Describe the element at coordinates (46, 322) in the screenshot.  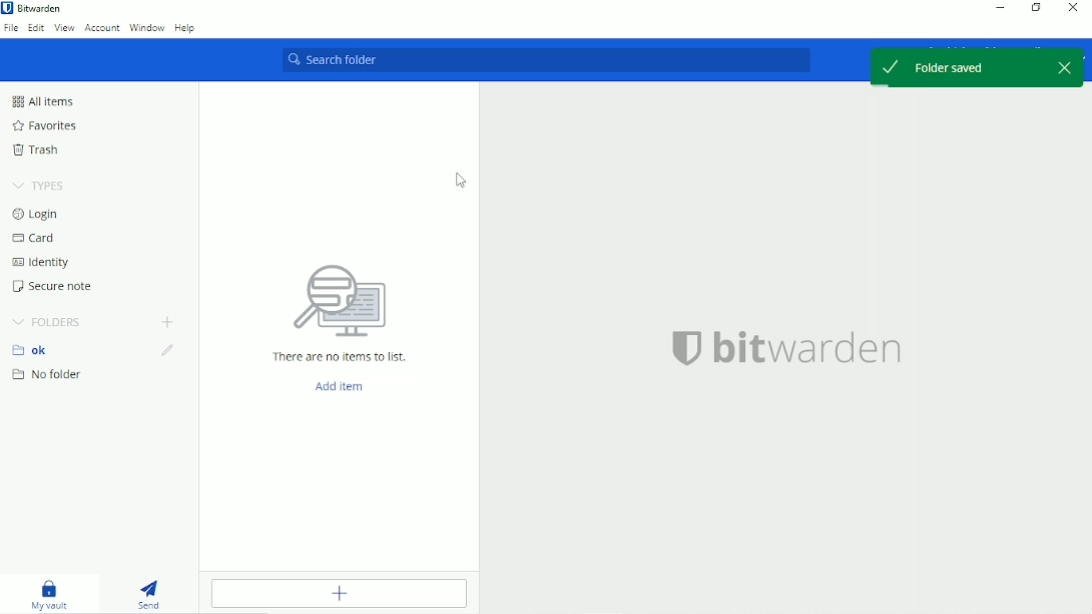
I see `Folders` at that location.